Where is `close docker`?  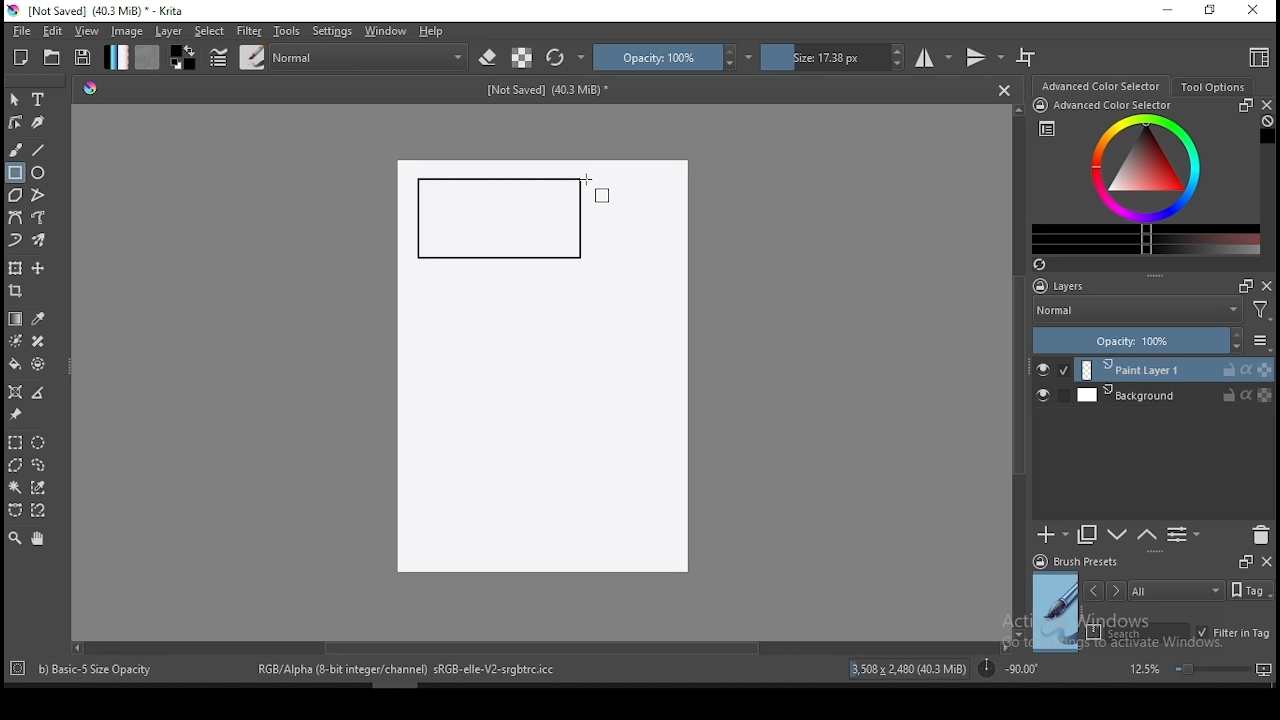 close docker is located at coordinates (1267, 285).